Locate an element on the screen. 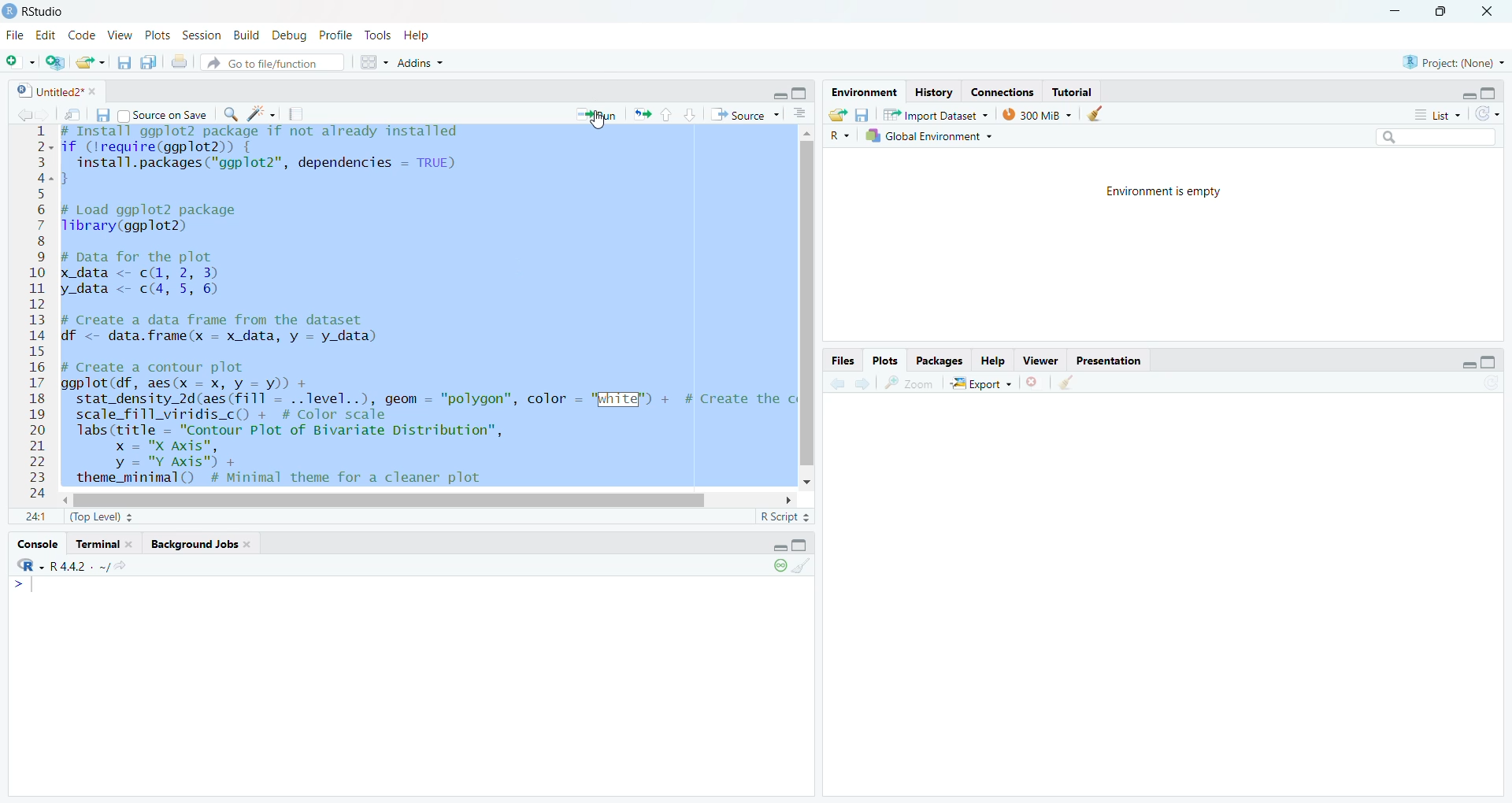  (Top Level)  is located at coordinates (97, 519).